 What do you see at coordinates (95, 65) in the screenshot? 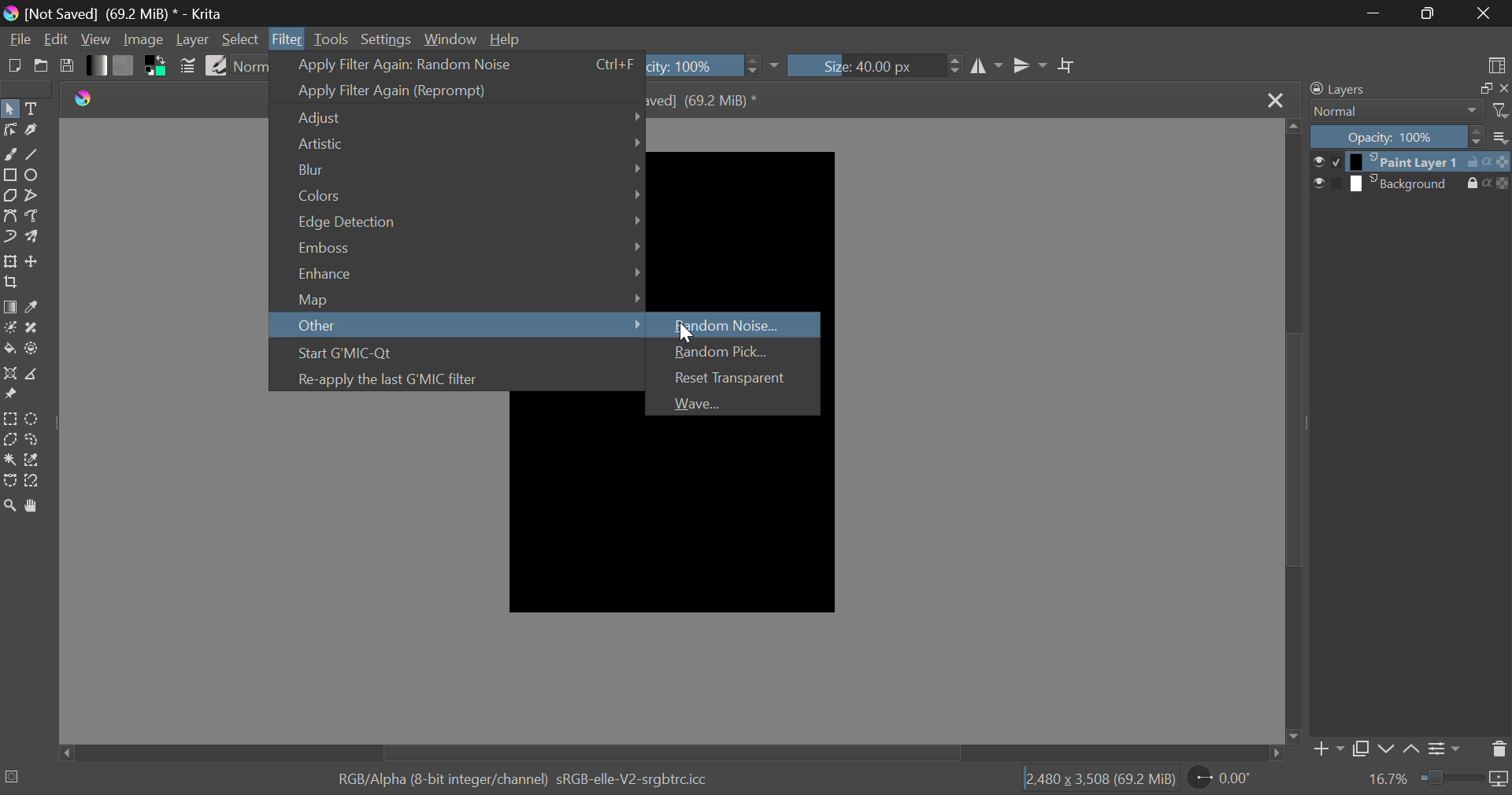
I see `Gradients` at bounding box center [95, 65].